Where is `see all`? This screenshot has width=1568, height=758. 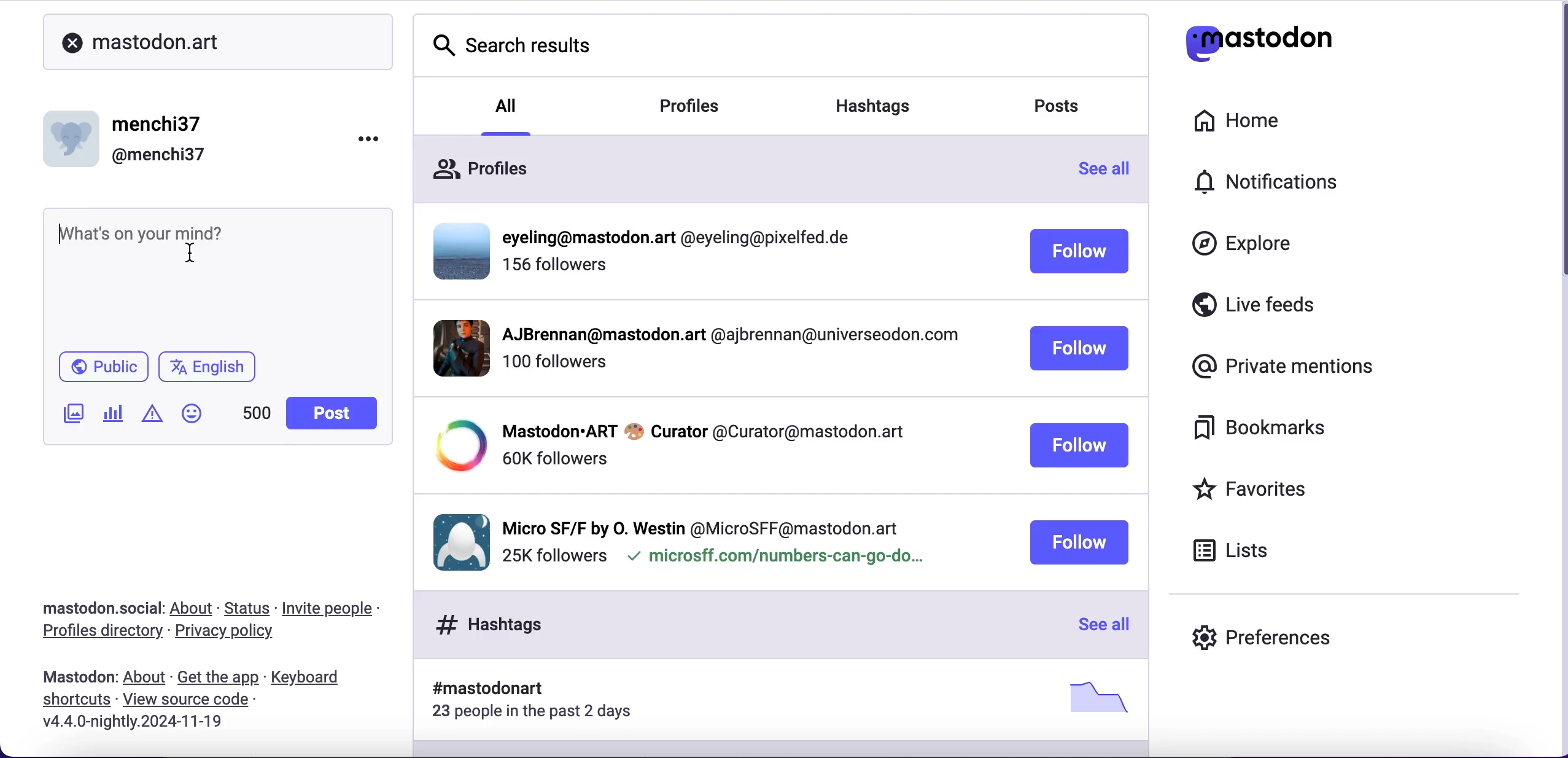
see all is located at coordinates (1113, 175).